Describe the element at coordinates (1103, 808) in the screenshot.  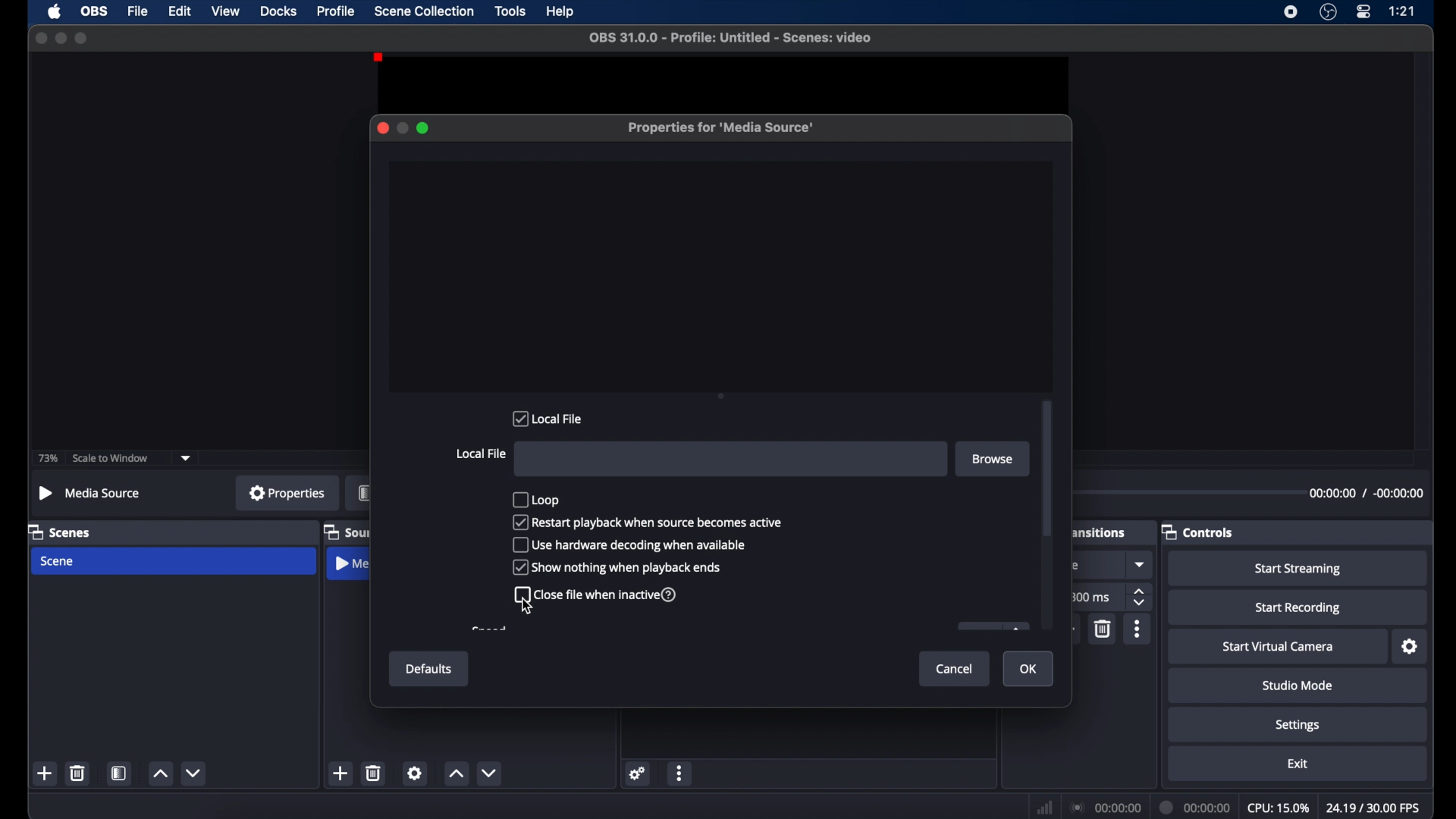
I see `connection` at that location.